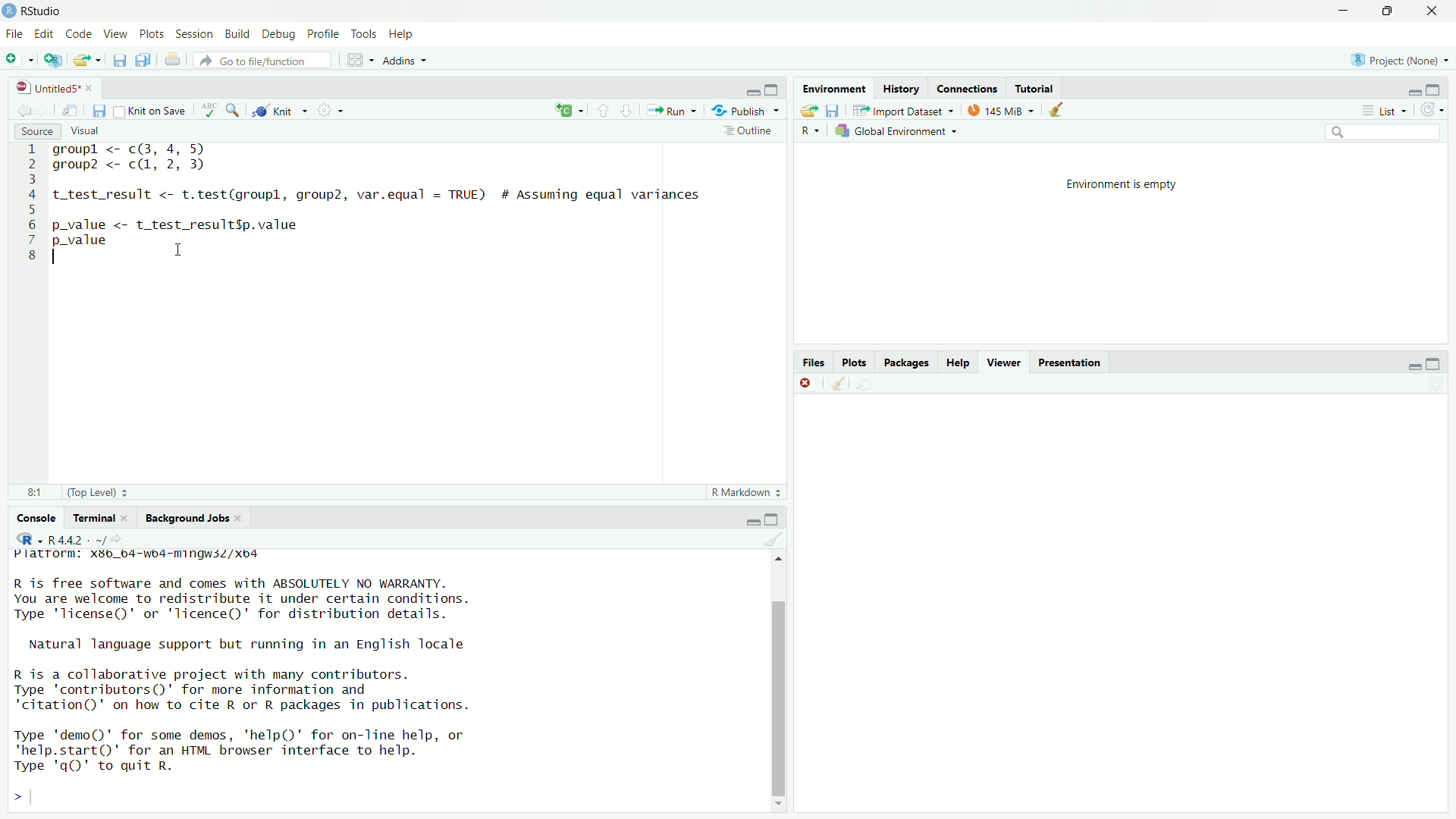 The width and height of the screenshot is (1456, 819). I want to click on cursor, so click(182, 249).